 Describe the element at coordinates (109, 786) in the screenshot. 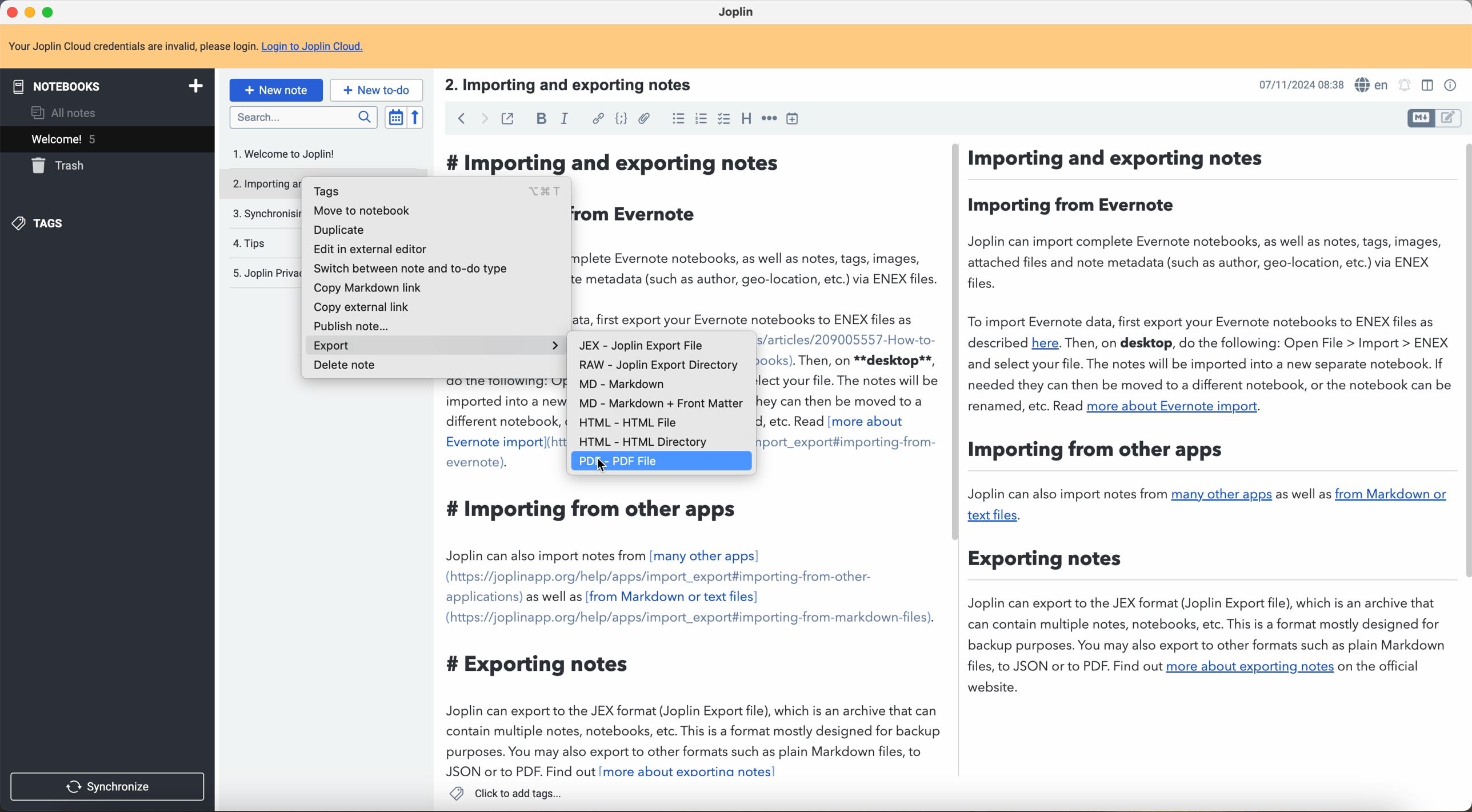

I see `synchronize` at that location.